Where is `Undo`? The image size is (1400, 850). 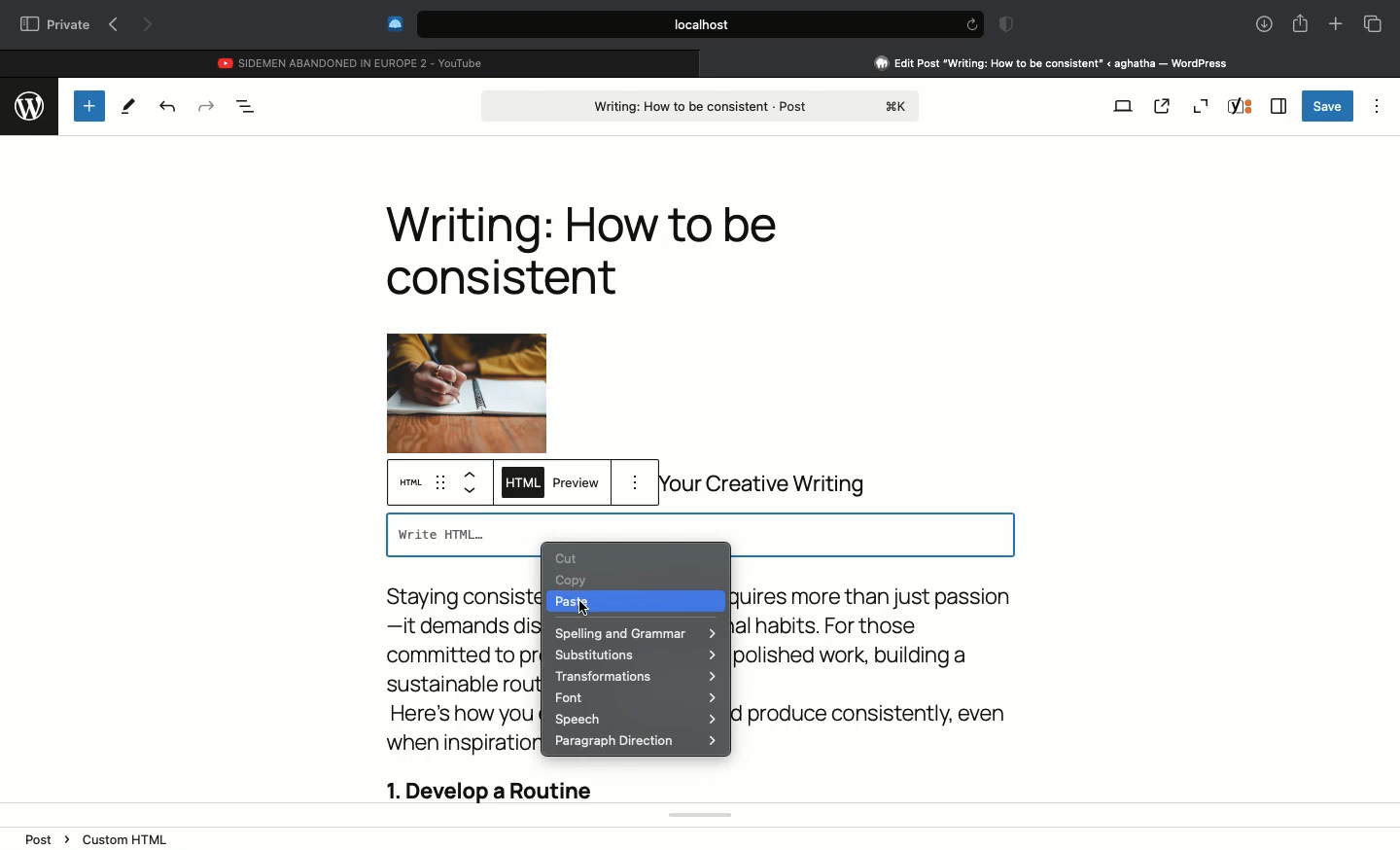
Undo is located at coordinates (167, 106).